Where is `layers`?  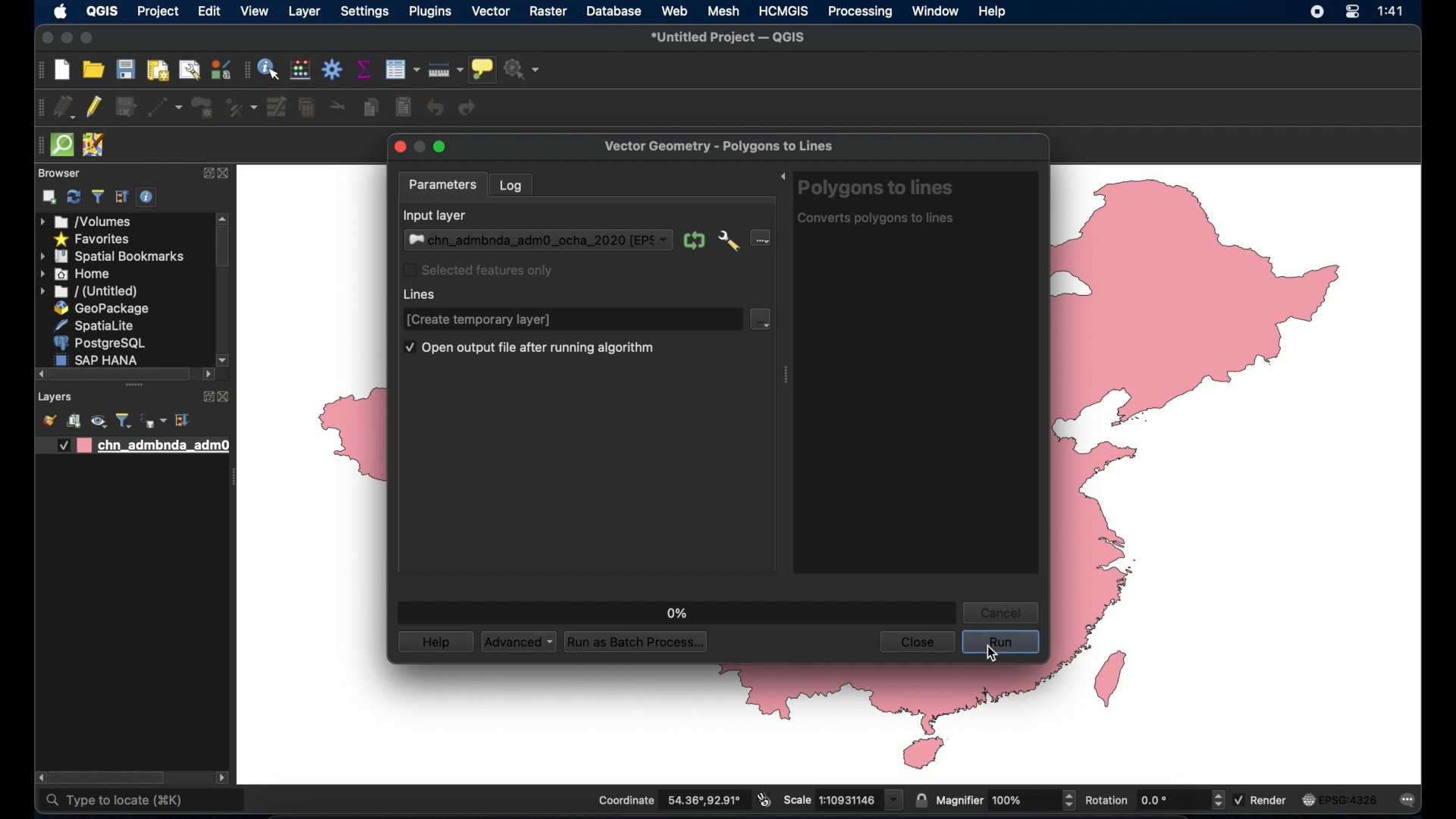 layers is located at coordinates (55, 398).